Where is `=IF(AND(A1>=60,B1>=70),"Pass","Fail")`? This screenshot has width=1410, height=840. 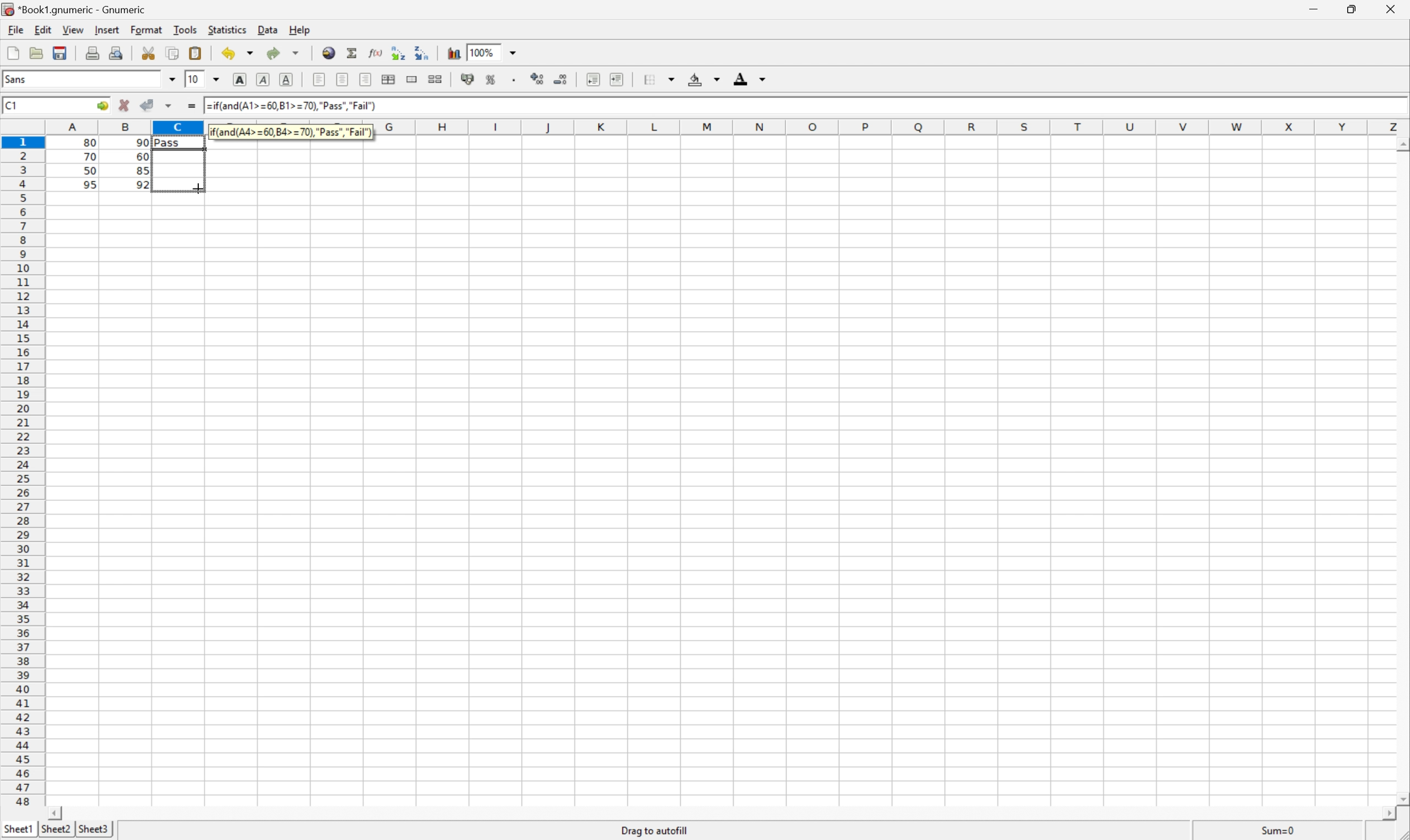
=IF(AND(A1>=60,B1>=70),"Pass","Fail") is located at coordinates (291, 130).